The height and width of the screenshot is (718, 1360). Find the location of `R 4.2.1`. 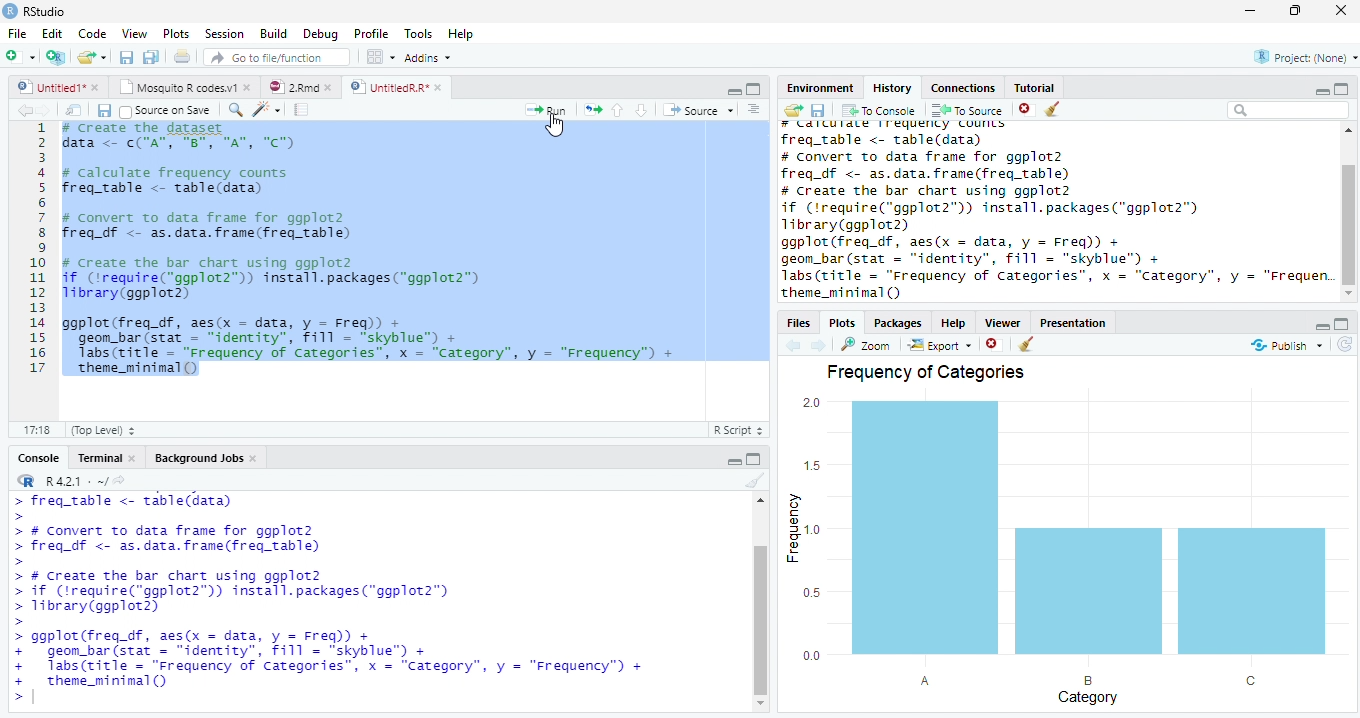

R 4.2.1 is located at coordinates (70, 482).